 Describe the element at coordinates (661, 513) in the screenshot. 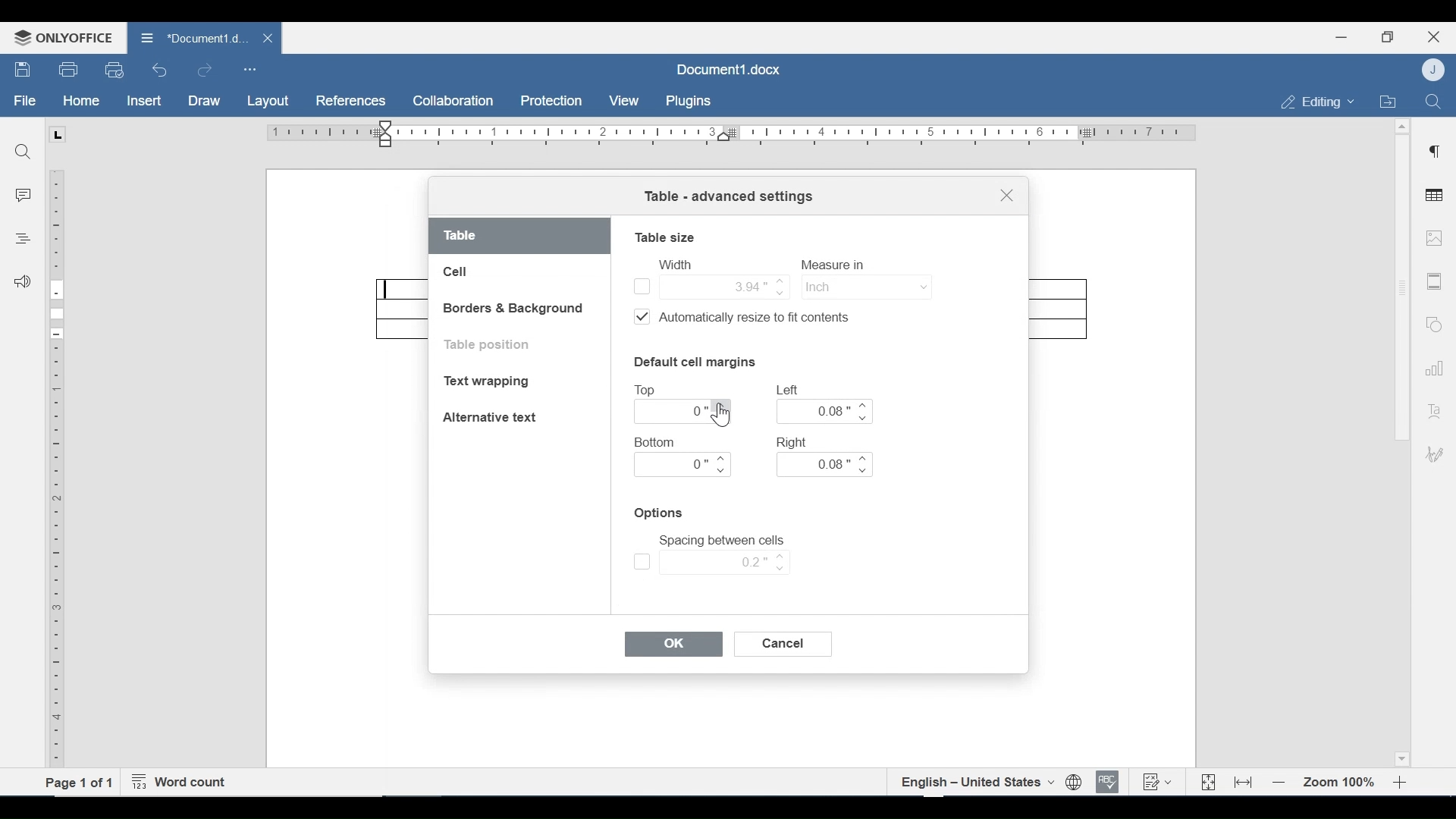

I see `Options` at that location.